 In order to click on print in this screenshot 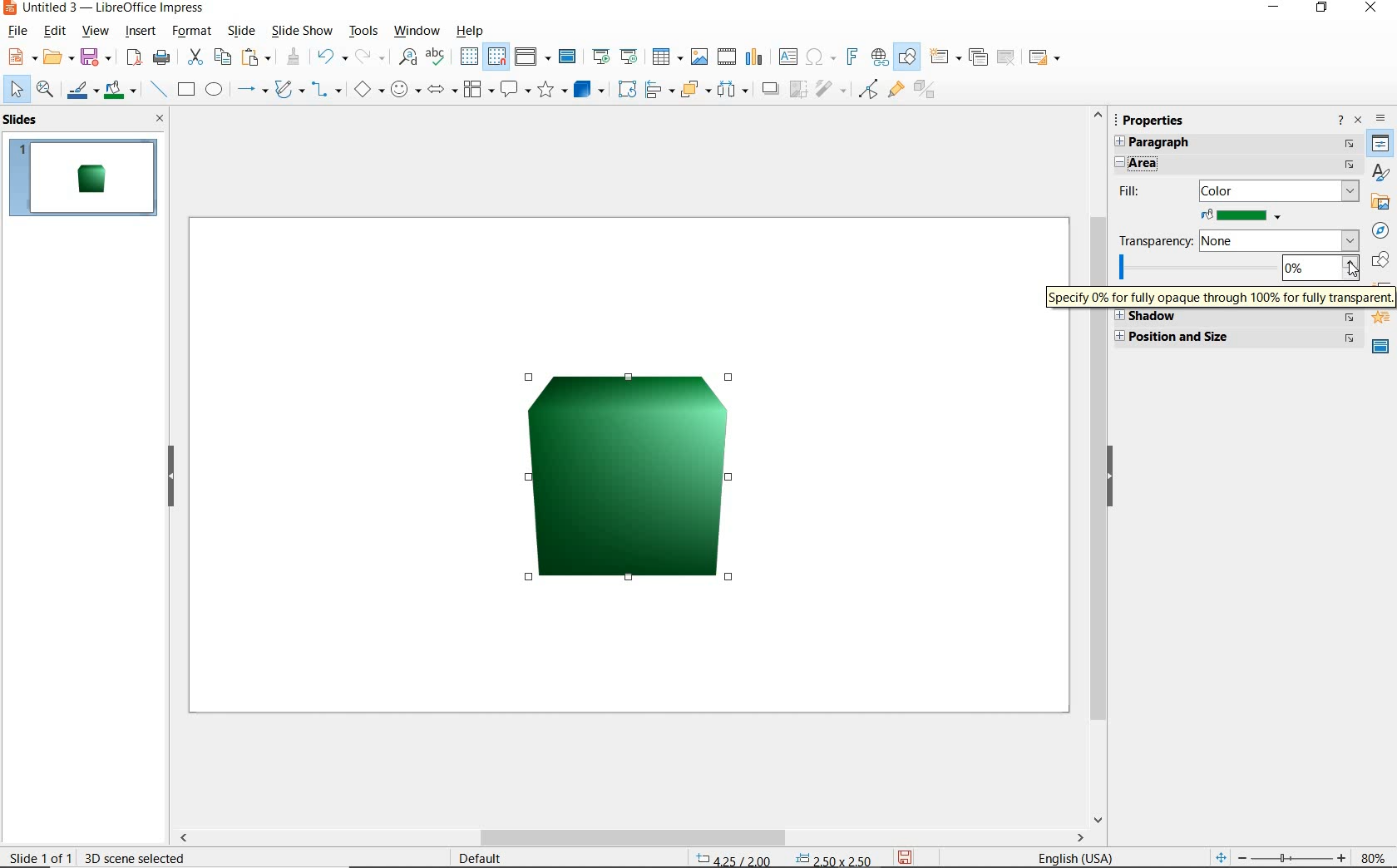, I will do `click(162, 59)`.